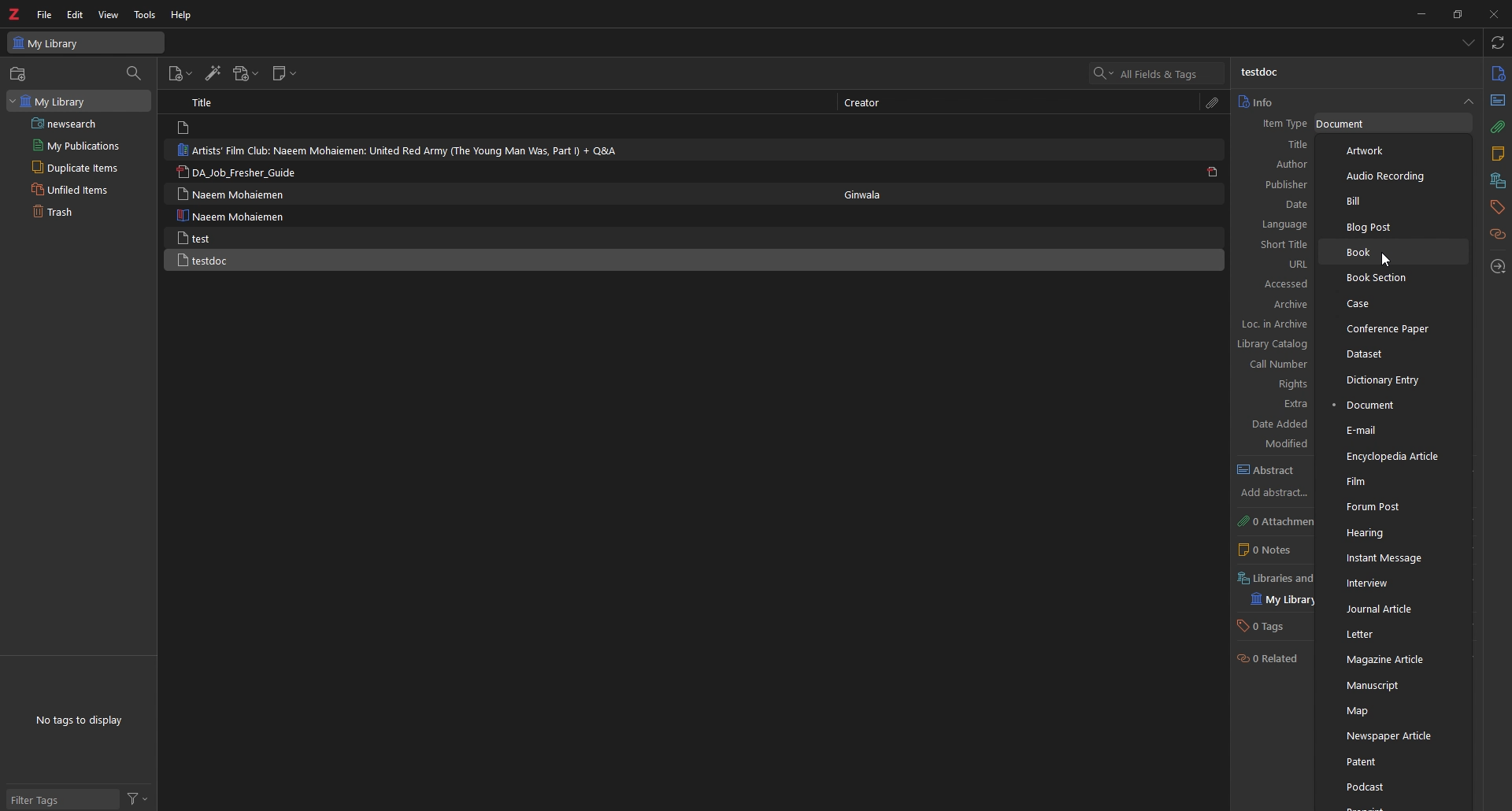 The height and width of the screenshot is (811, 1512). Describe the element at coordinates (247, 73) in the screenshot. I see `add attachment` at that location.